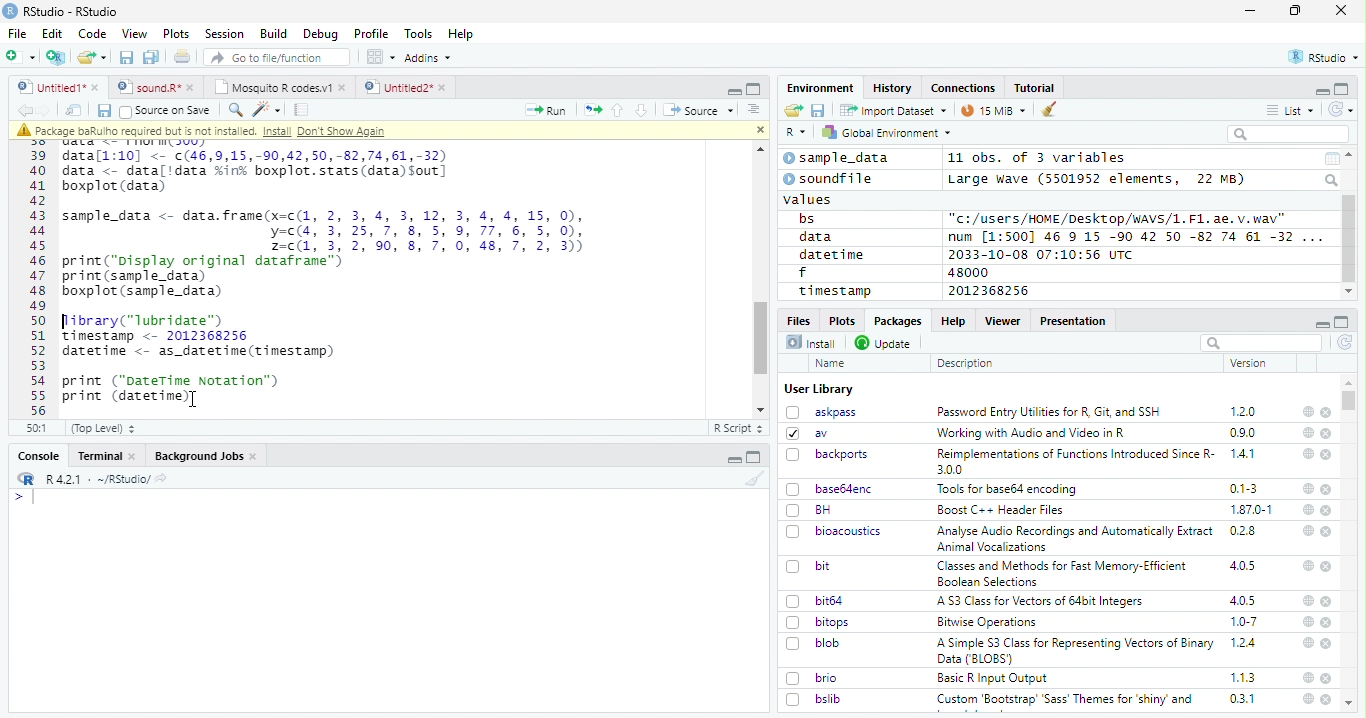  I want to click on help, so click(1308, 677).